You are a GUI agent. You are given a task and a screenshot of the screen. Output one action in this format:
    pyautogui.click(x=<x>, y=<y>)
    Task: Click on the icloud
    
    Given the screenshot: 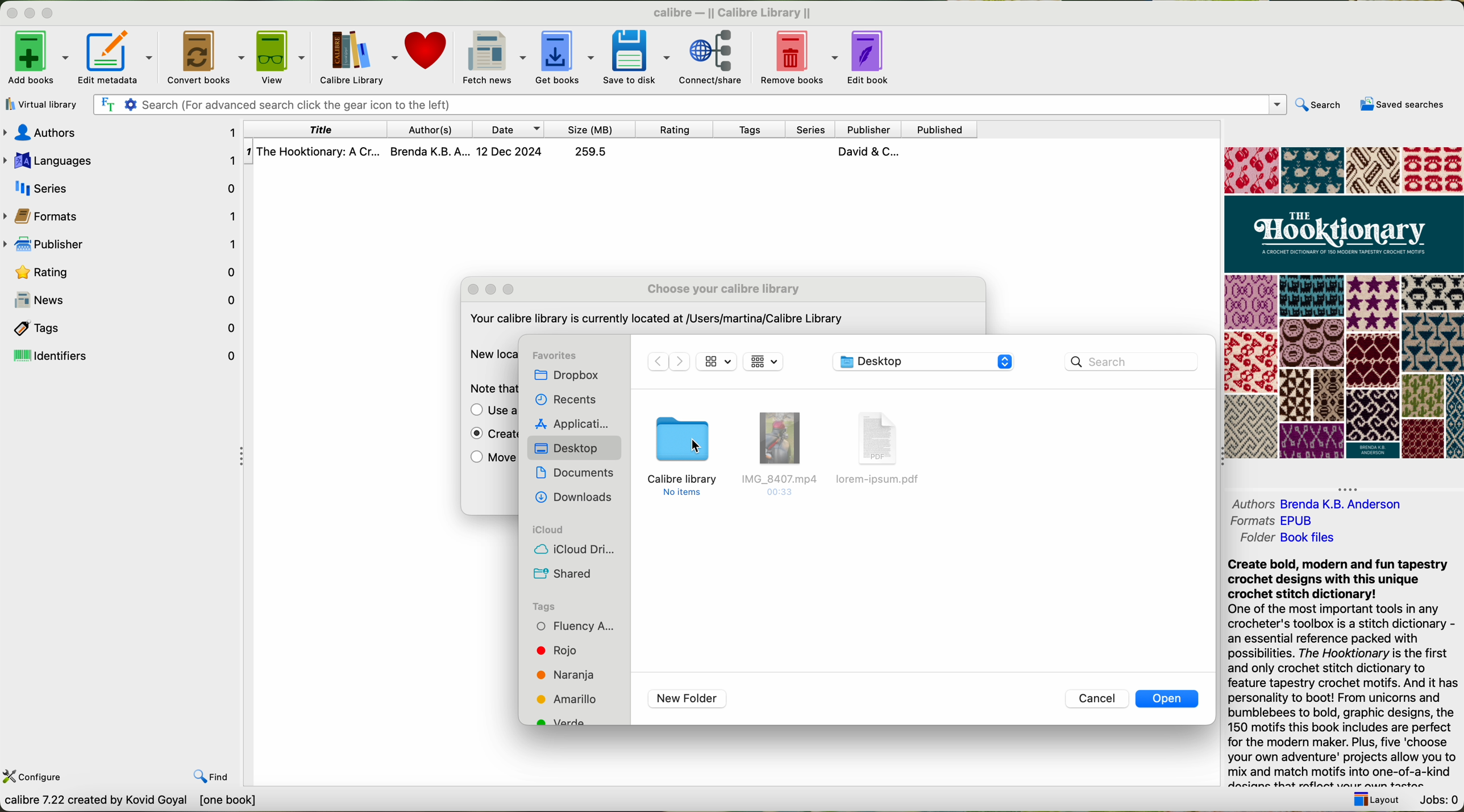 What is the action you would take?
    pyautogui.click(x=551, y=530)
    